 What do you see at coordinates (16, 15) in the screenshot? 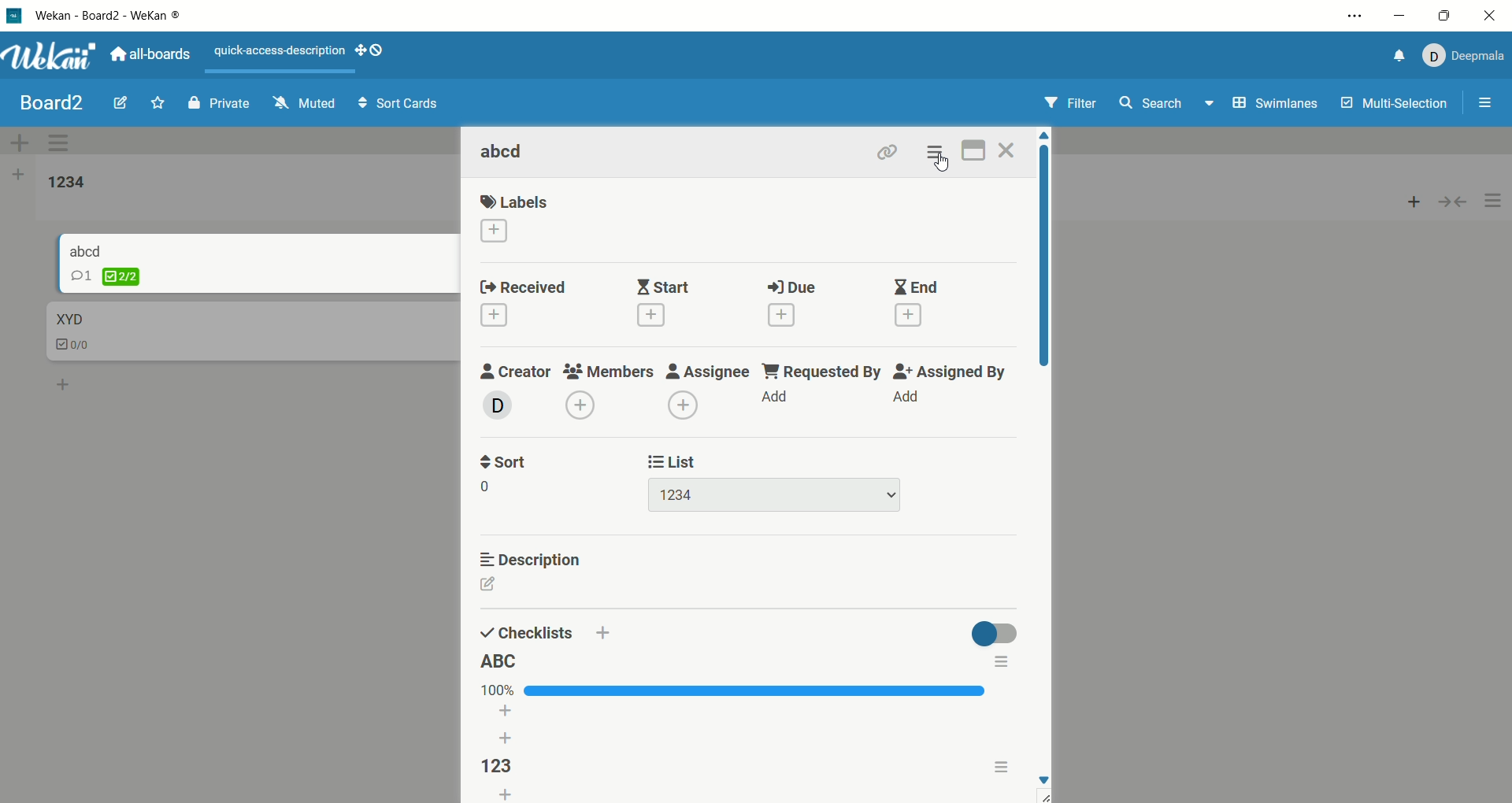
I see `logo` at bounding box center [16, 15].